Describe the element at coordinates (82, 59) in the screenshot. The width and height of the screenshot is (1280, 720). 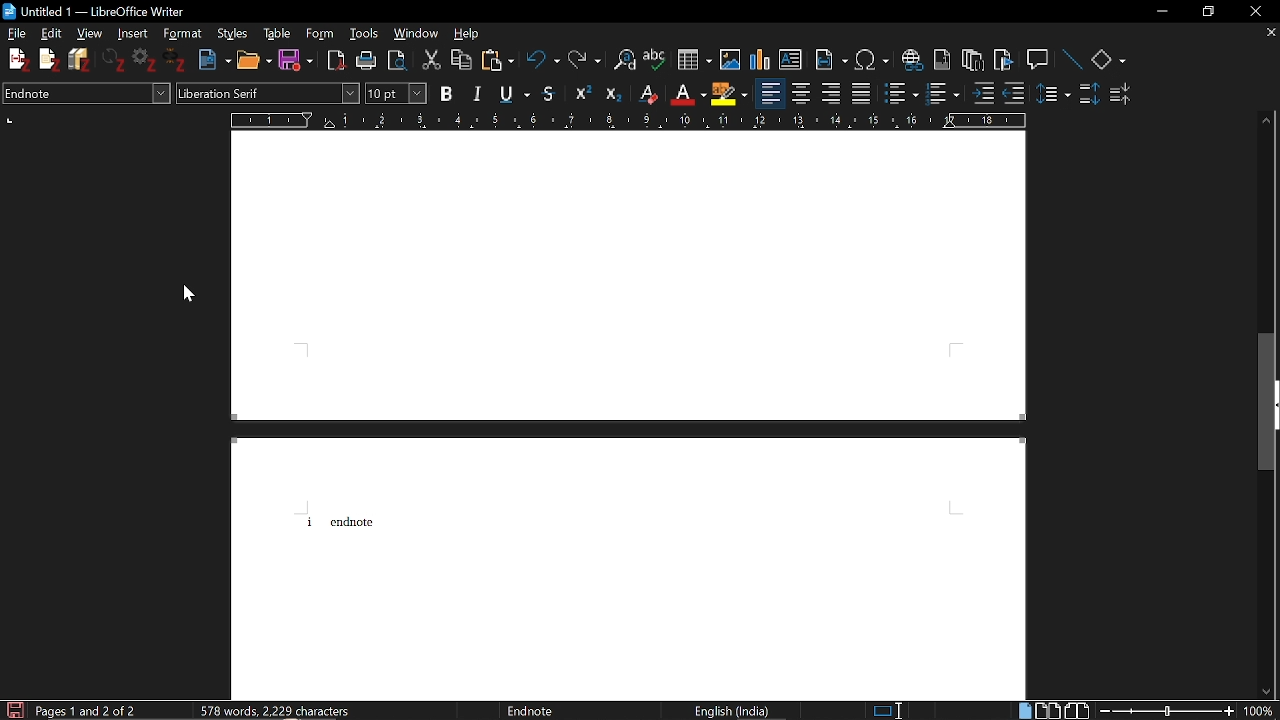
I see `Add bibliography` at that location.